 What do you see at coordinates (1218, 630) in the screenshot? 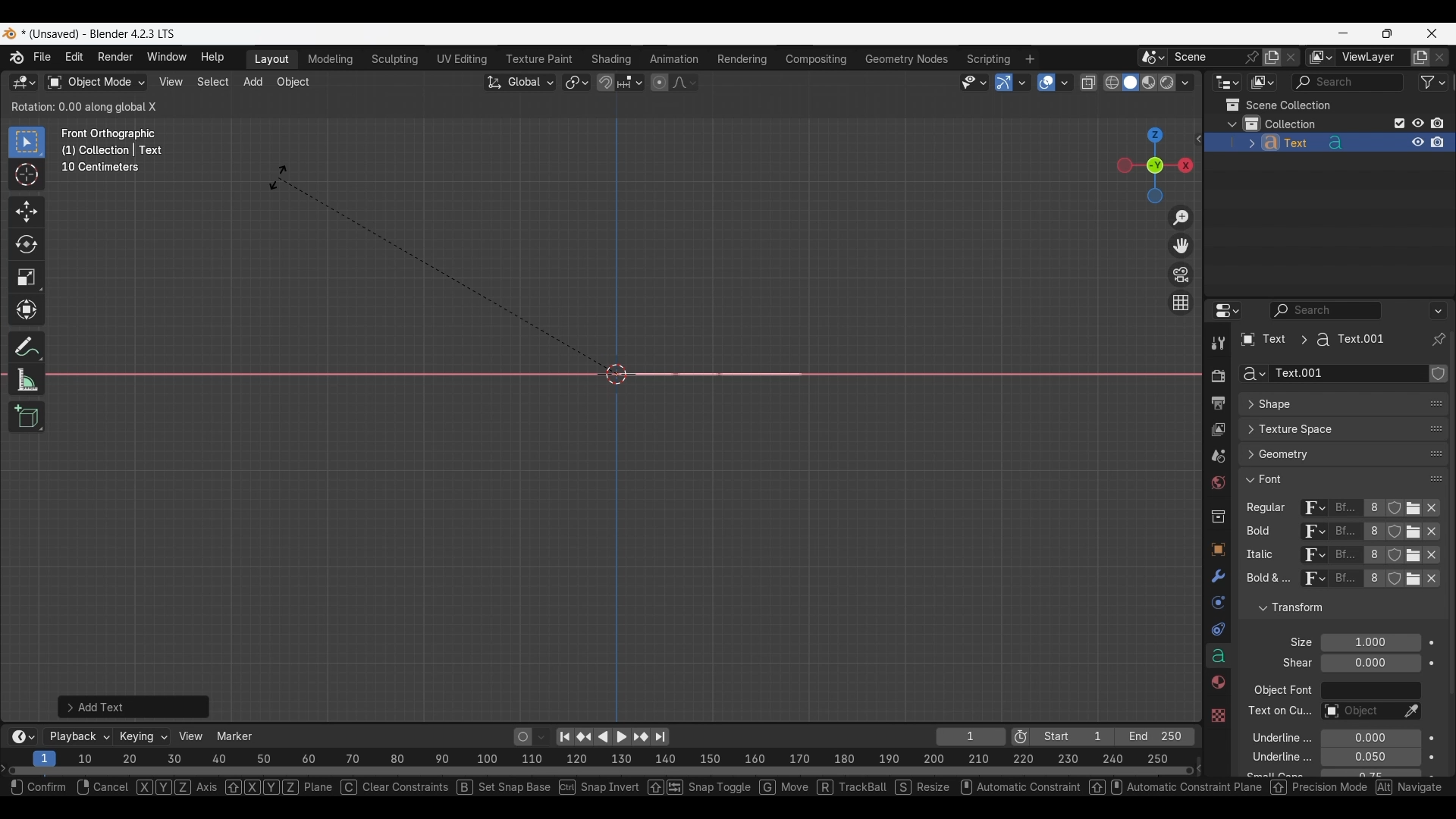
I see `Constraints` at bounding box center [1218, 630].